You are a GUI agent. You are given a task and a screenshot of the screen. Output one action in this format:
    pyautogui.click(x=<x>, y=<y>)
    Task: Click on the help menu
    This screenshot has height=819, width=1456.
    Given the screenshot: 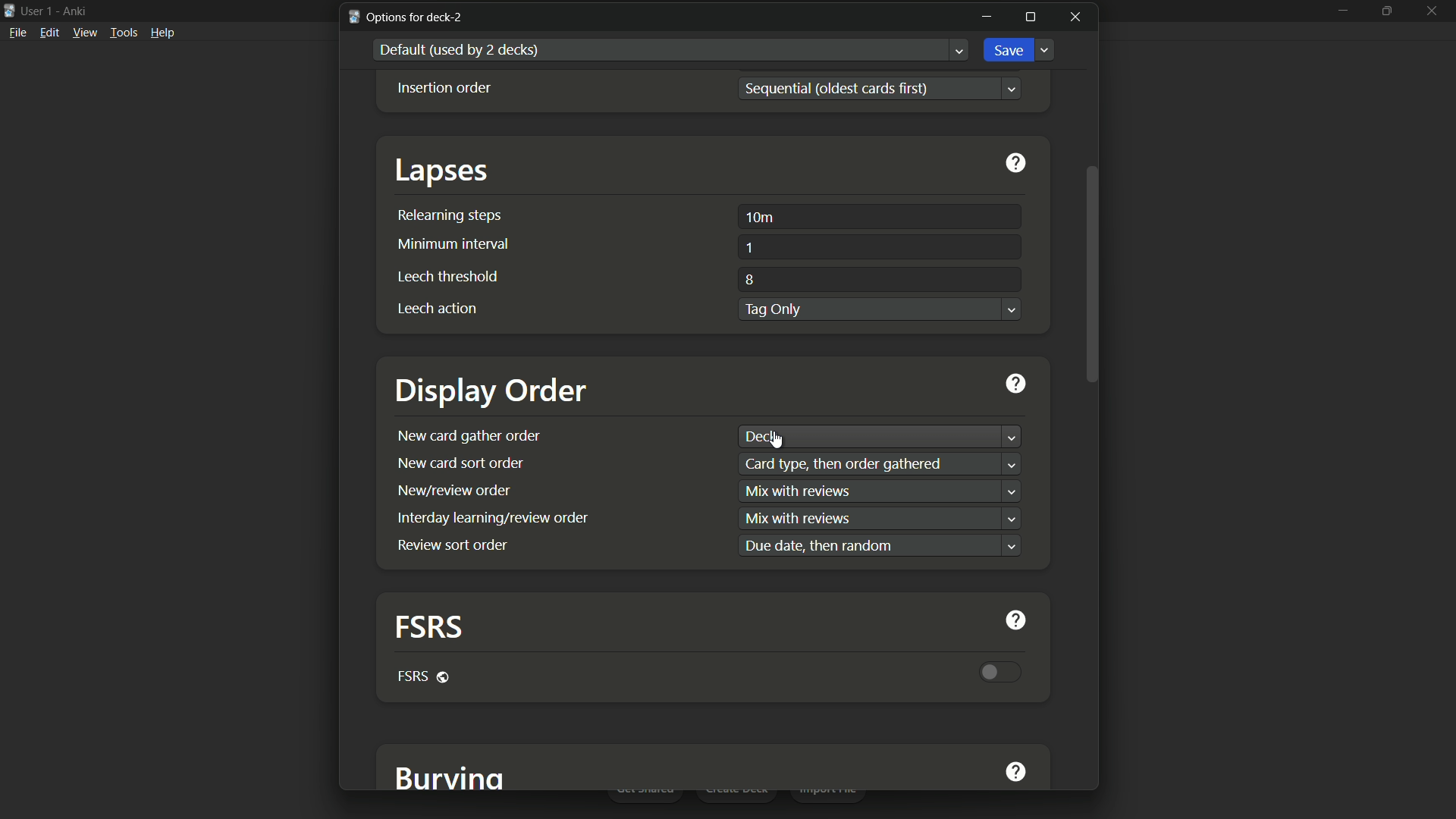 What is the action you would take?
    pyautogui.click(x=164, y=33)
    